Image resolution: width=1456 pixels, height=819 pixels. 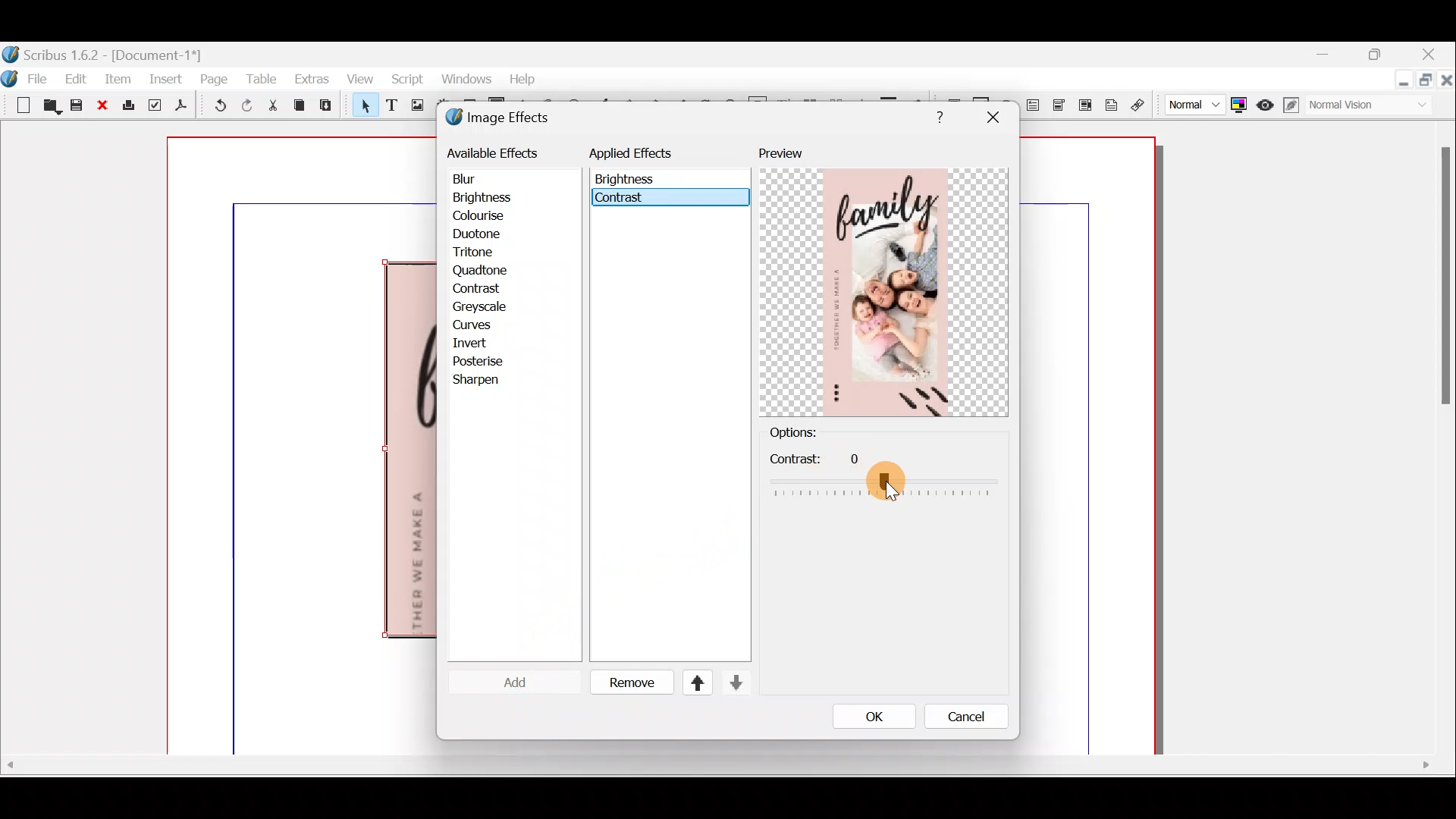 What do you see at coordinates (300, 105) in the screenshot?
I see `Copy` at bounding box center [300, 105].